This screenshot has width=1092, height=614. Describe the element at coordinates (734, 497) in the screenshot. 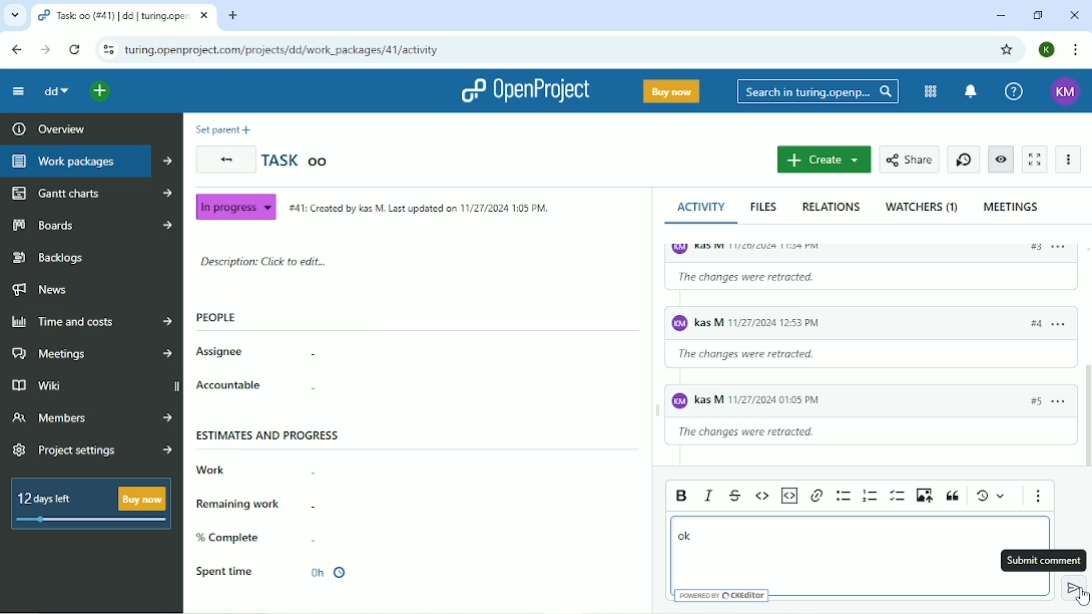

I see `Strikethrough` at that location.